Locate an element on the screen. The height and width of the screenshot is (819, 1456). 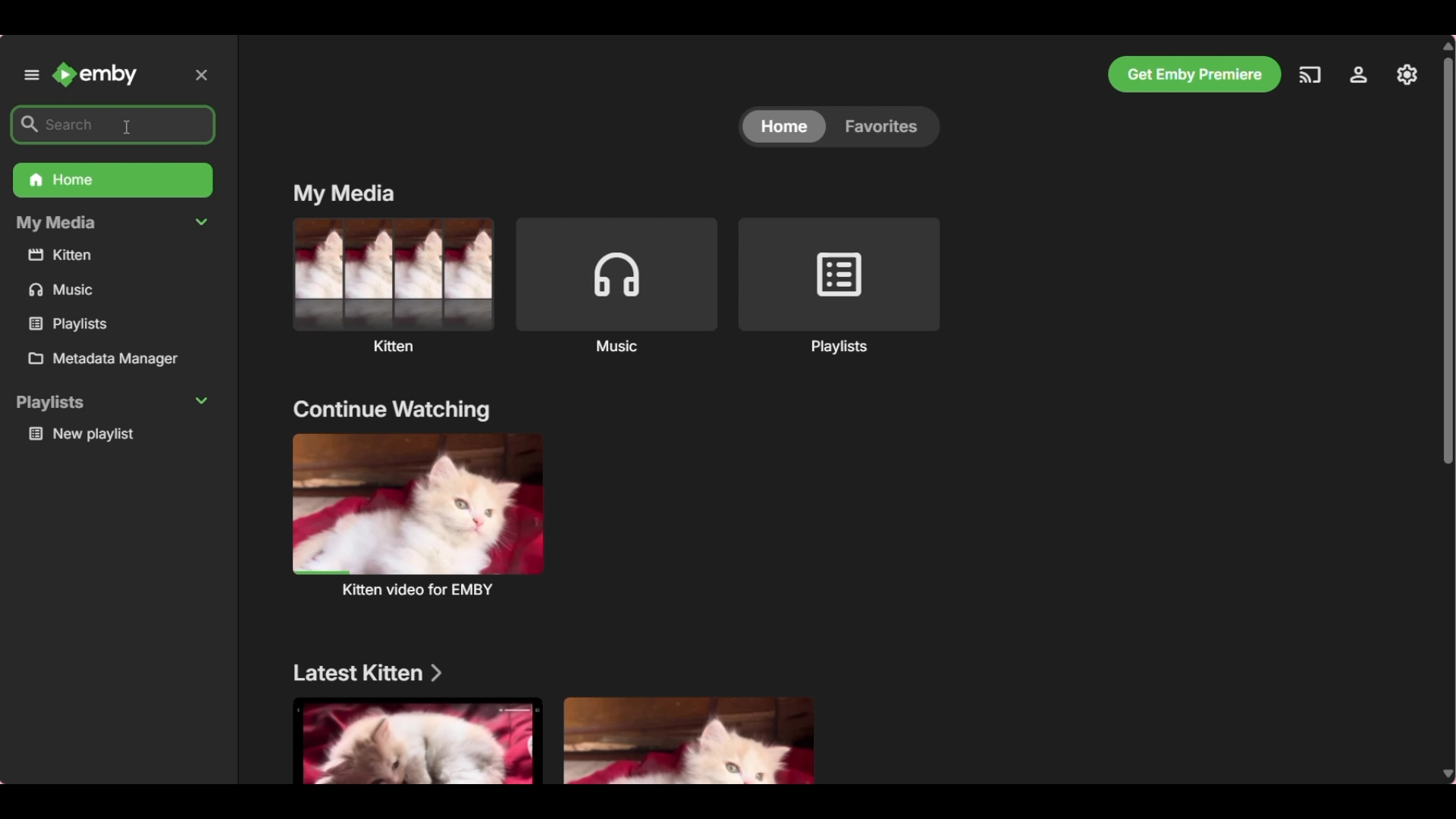
Playlists is located at coordinates (839, 285).